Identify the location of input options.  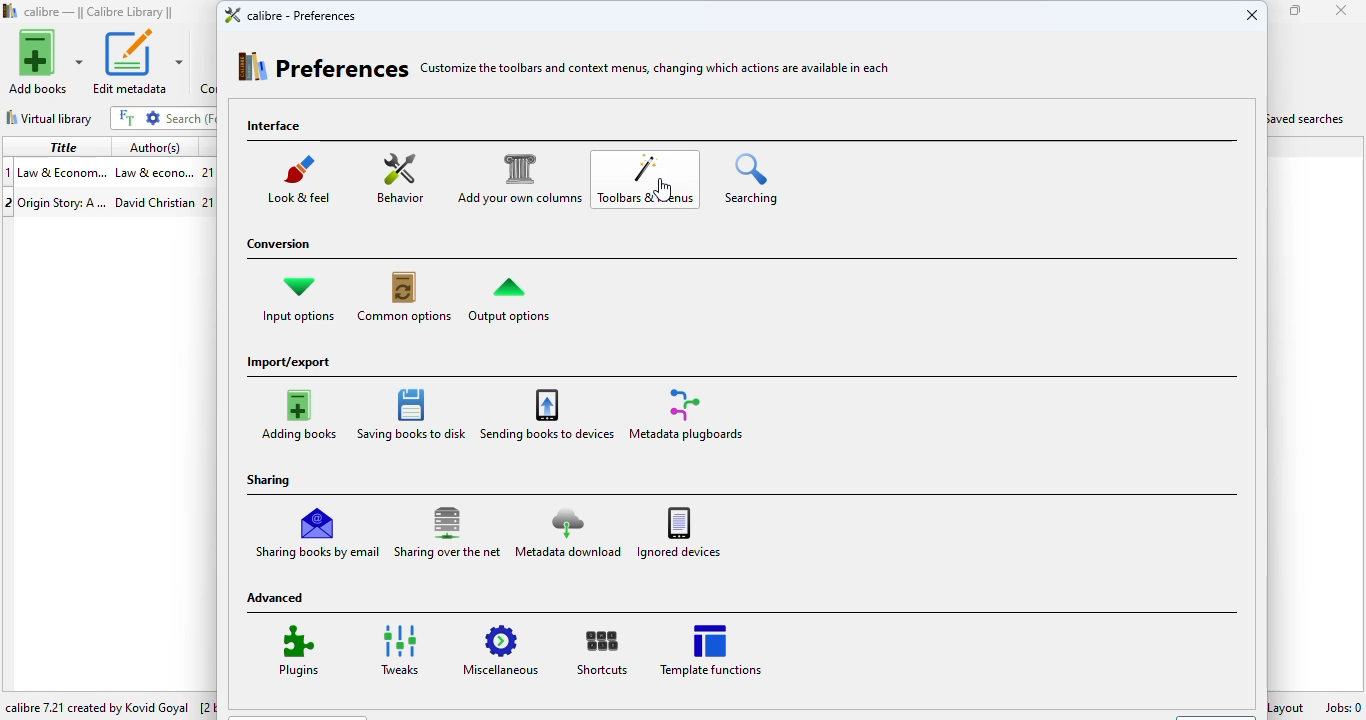
(298, 299).